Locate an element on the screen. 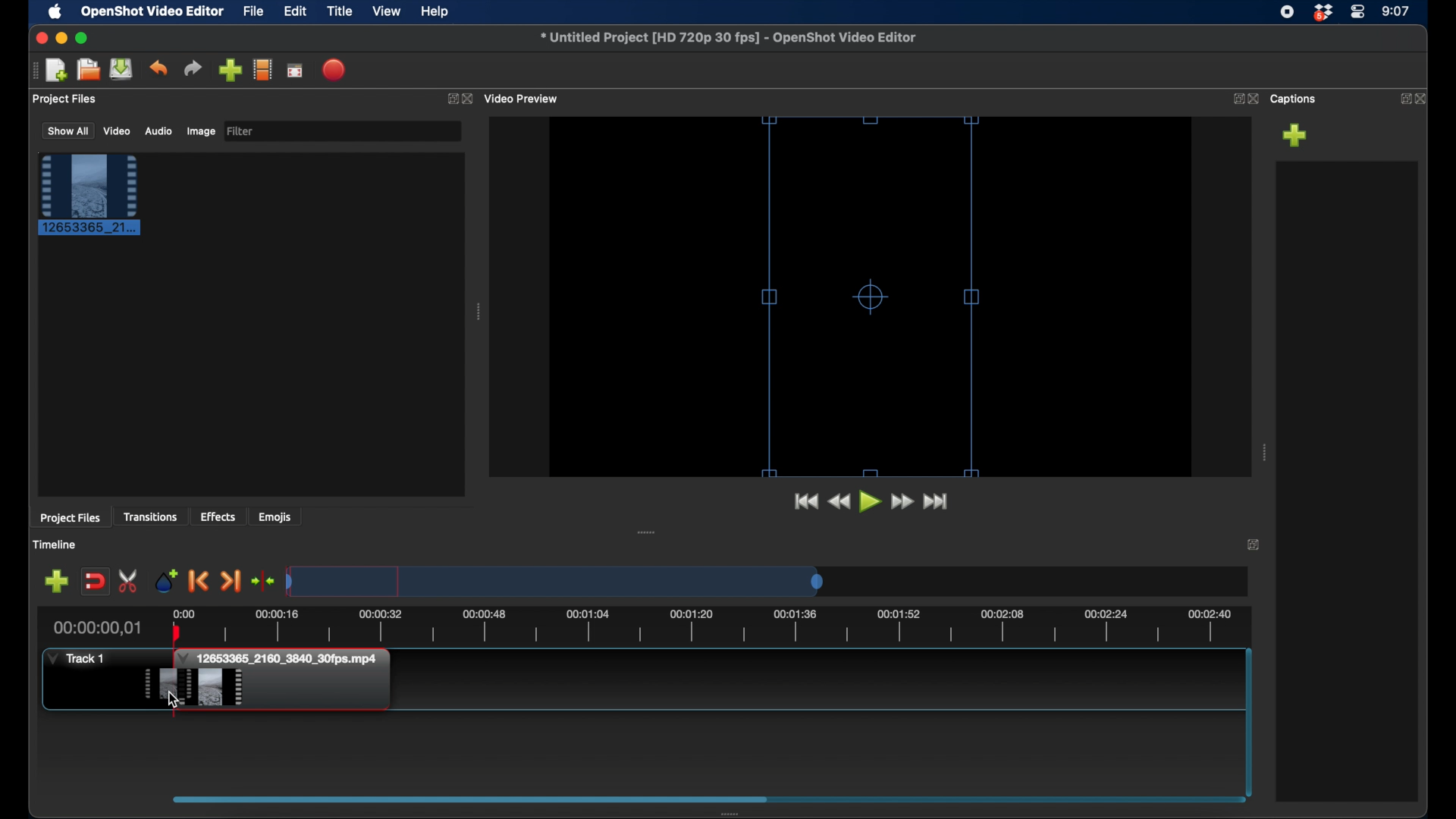 This screenshot has width=1456, height=819. enable razor is located at coordinates (129, 580).